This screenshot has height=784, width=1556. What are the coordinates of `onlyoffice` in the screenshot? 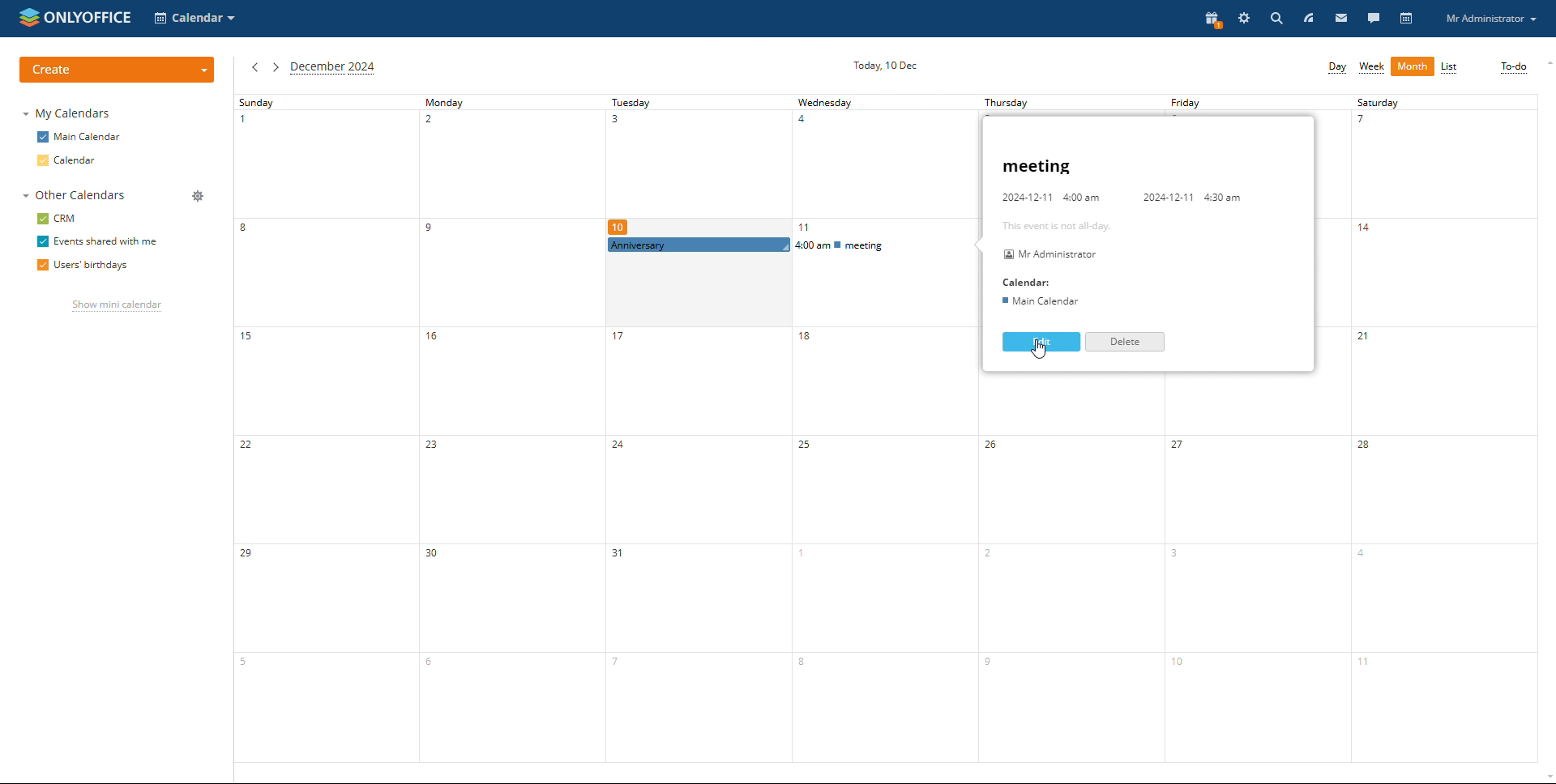 It's located at (88, 19).